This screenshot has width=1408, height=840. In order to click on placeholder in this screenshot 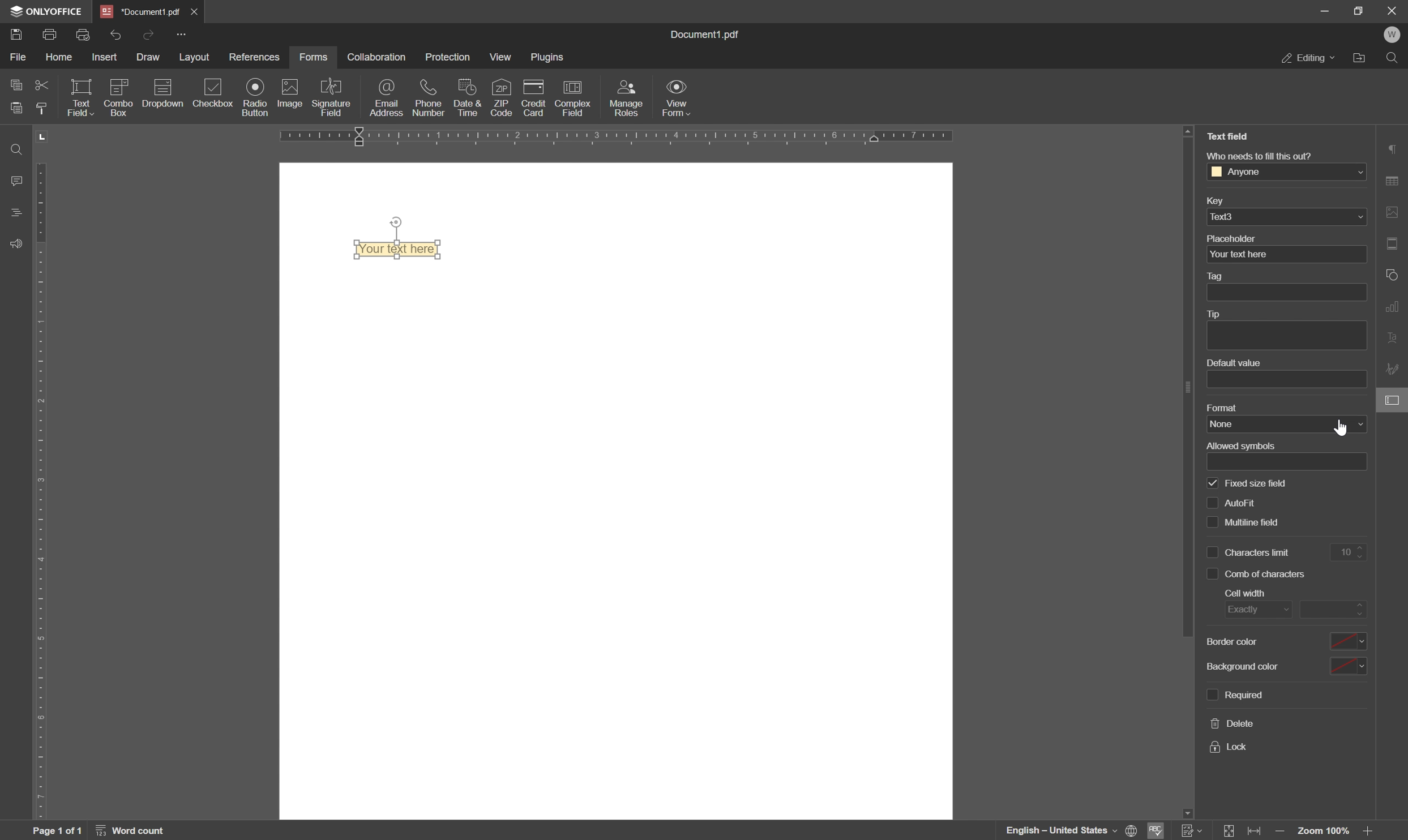, I will do `click(1233, 238)`.